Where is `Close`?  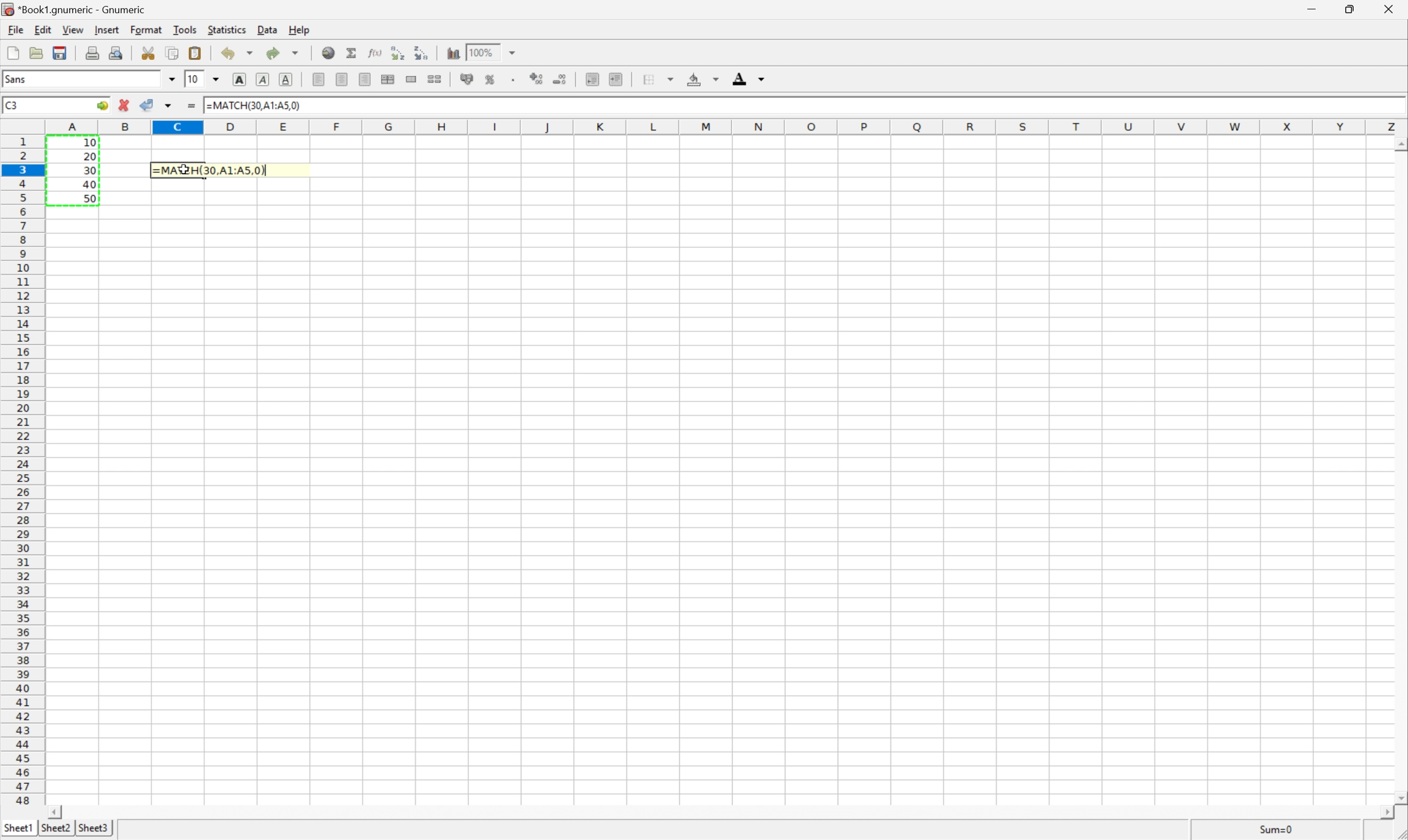 Close is located at coordinates (1388, 8).